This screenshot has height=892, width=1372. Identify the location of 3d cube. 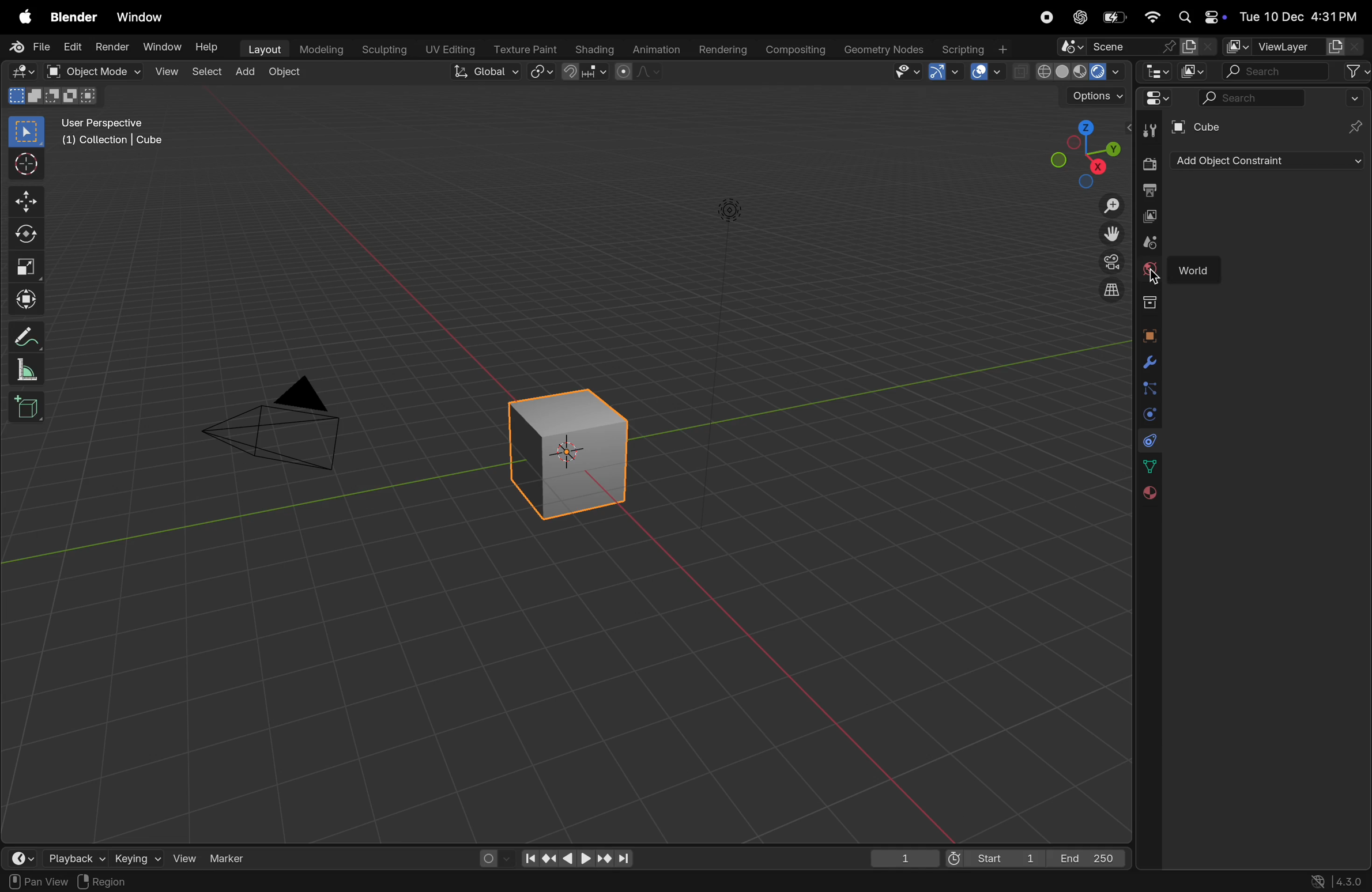
(576, 448).